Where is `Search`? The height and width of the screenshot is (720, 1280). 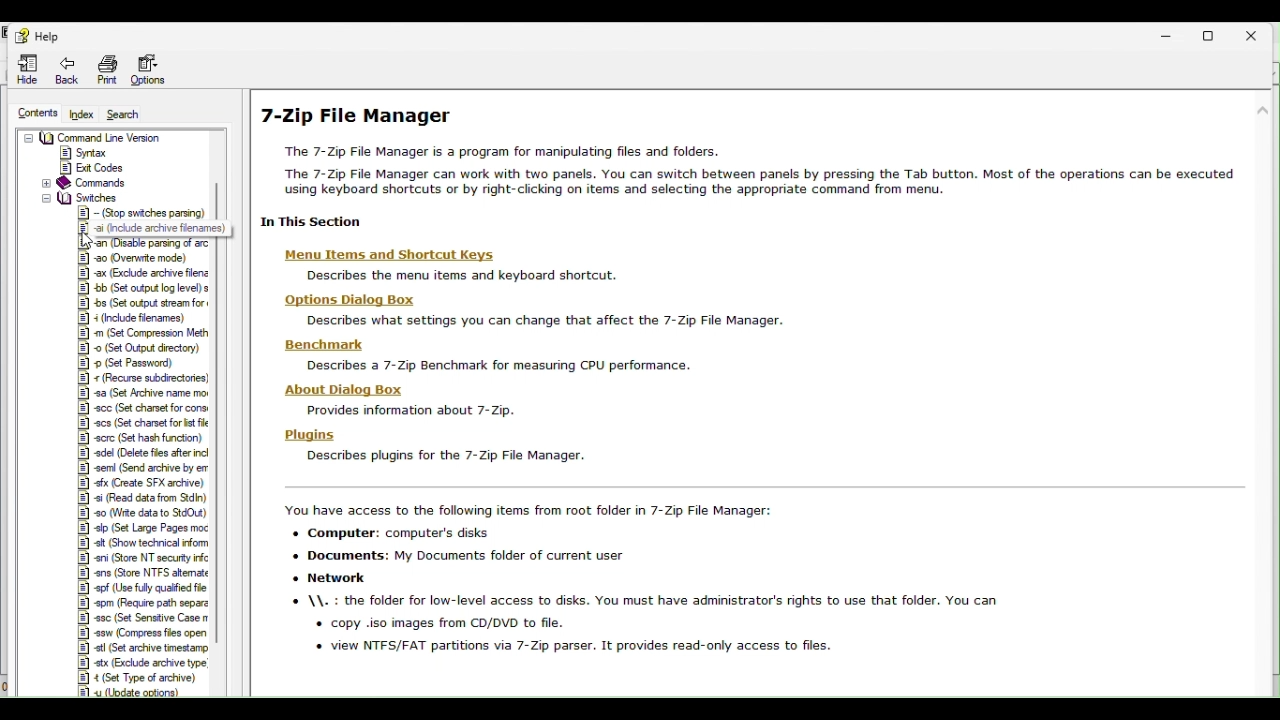 Search is located at coordinates (123, 111).